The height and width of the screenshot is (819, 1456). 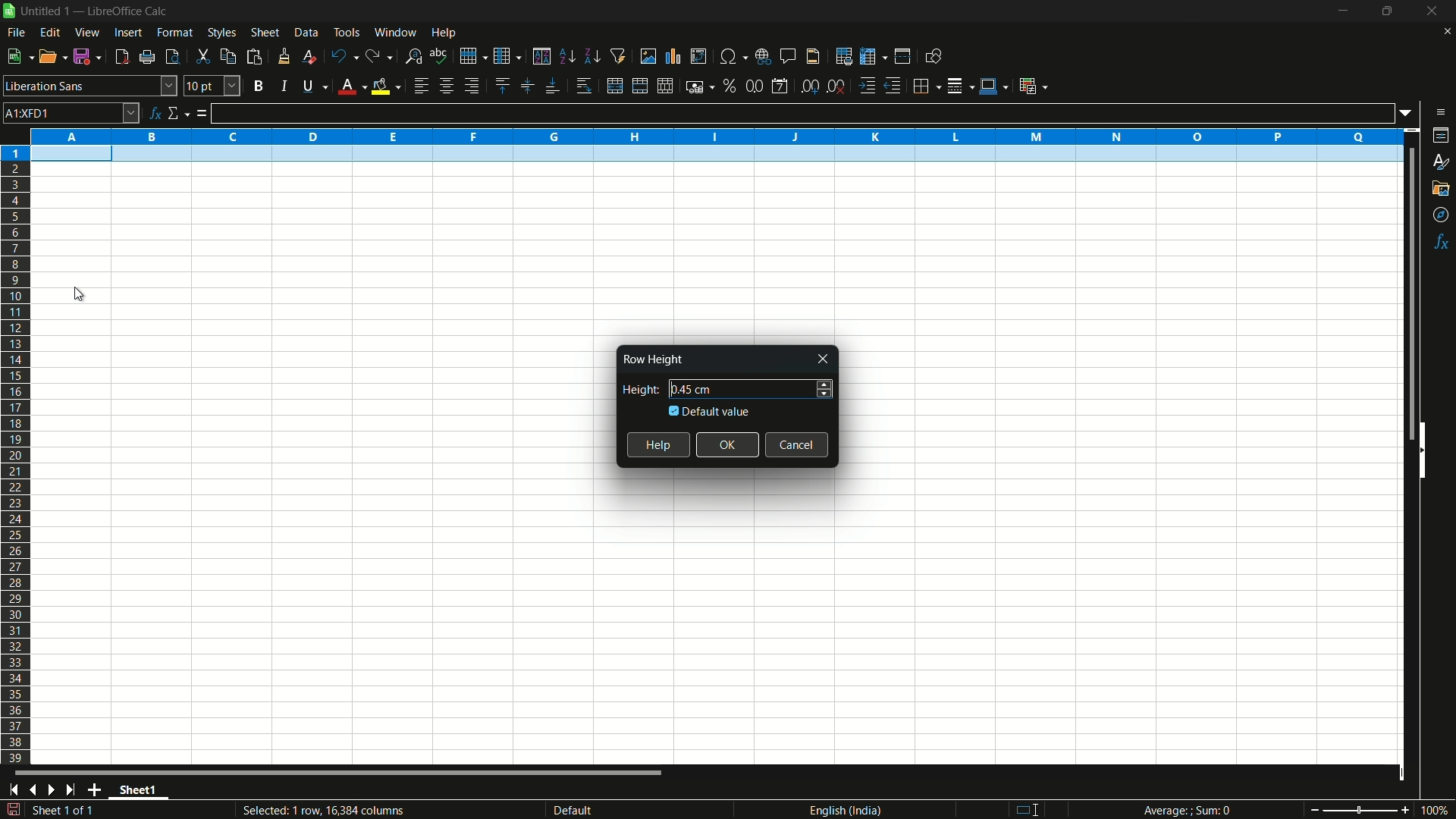 What do you see at coordinates (711, 411) in the screenshot?
I see `default value` at bounding box center [711, 411].